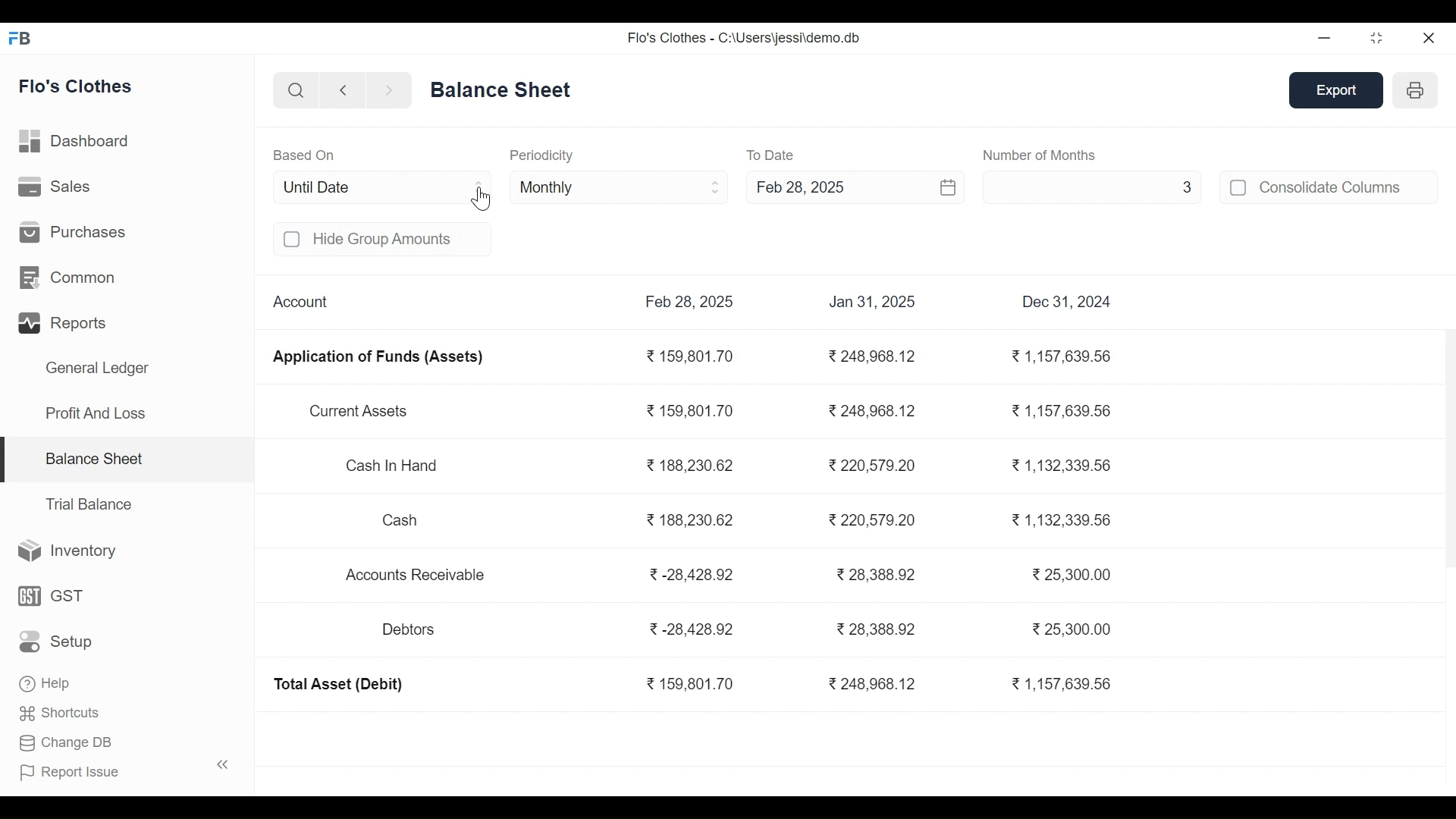 The width and height of the screenshot is (1456, 819). I want to click on setup, so click(58, 642).